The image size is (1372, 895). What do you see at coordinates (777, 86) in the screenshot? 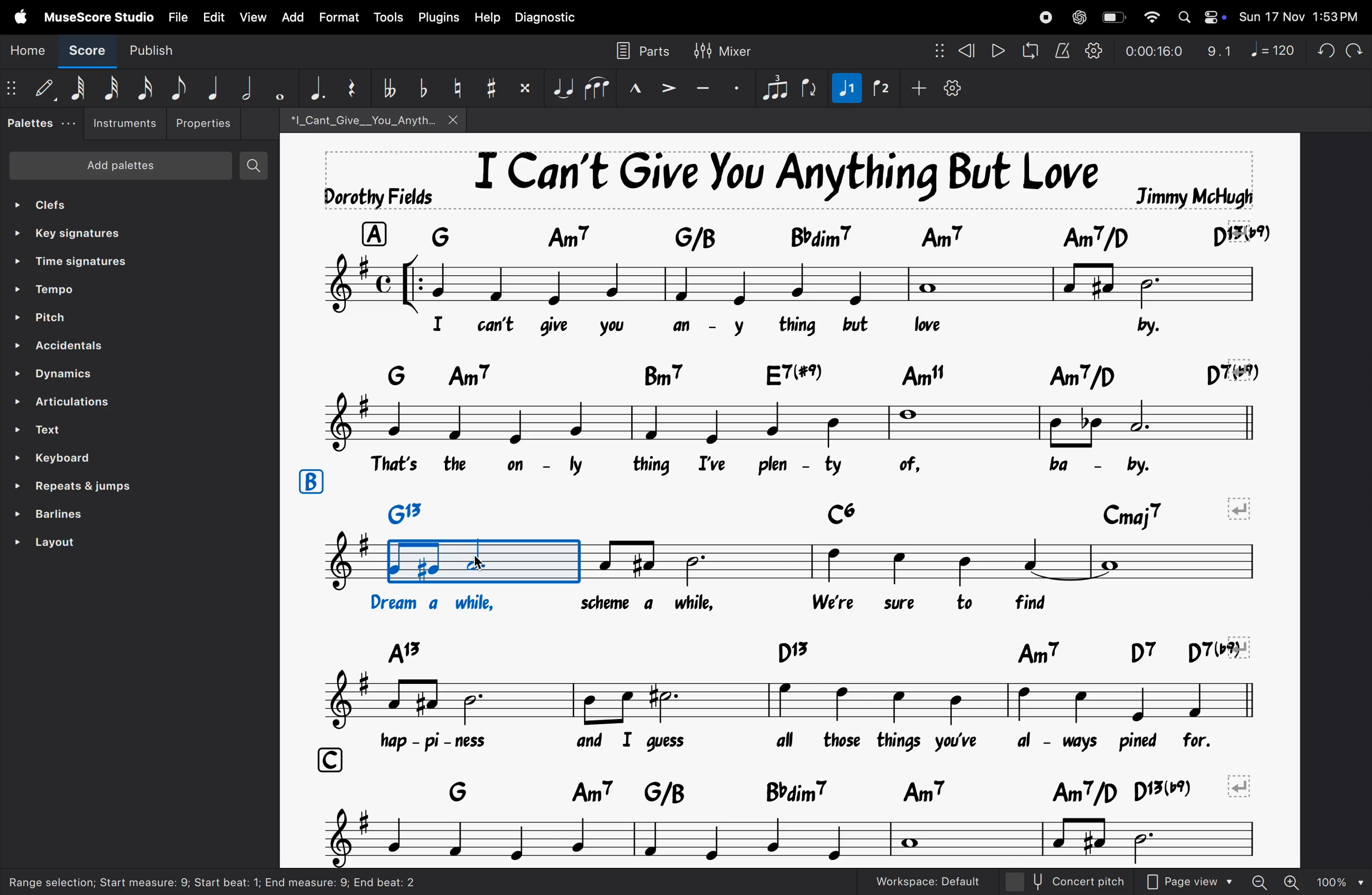
I see `tuplet` at bounding box center [777, 86].